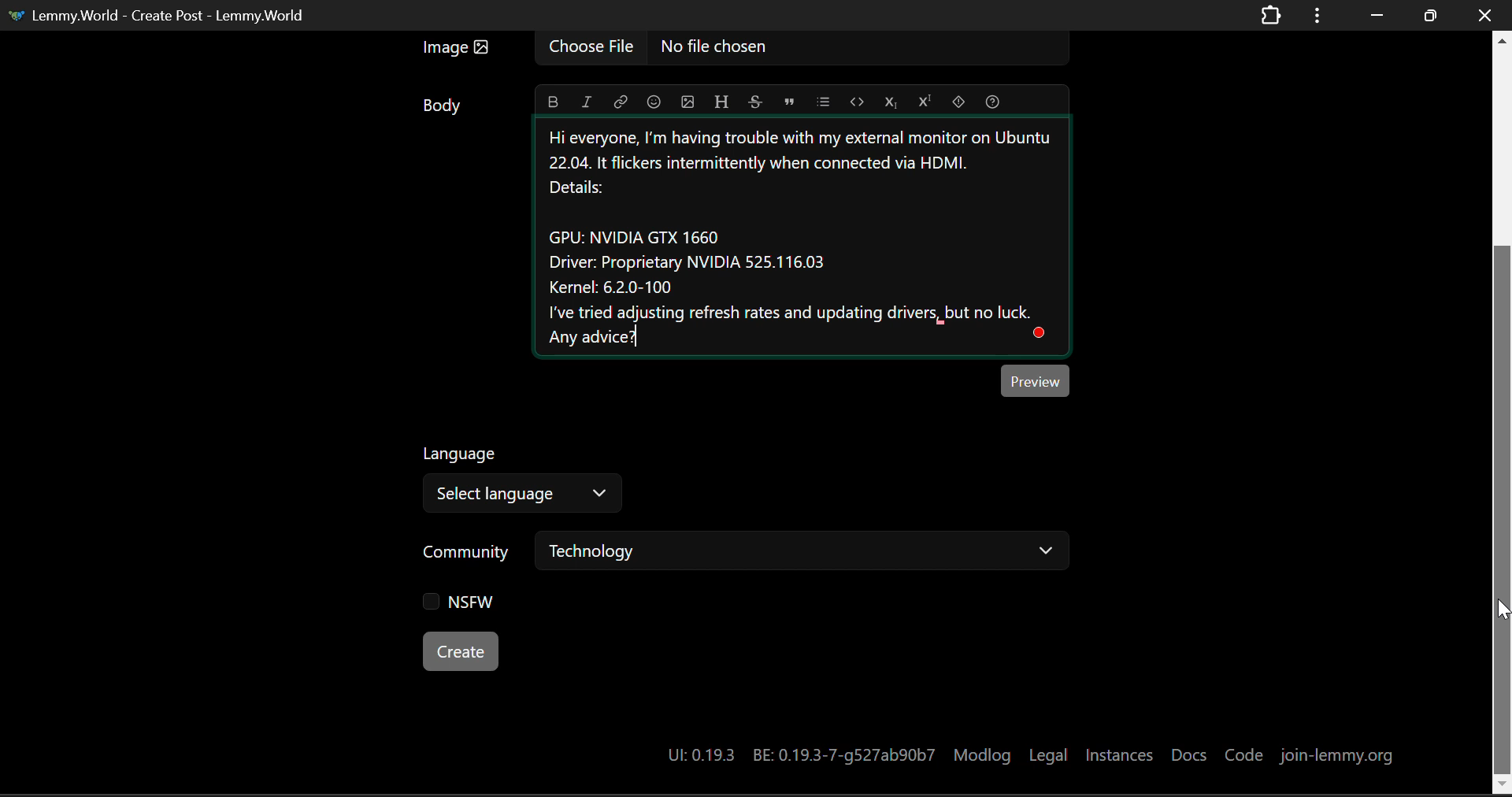 This screenshot has height=797, width=1512. Describe the element at coordinates (1503, 611) in the screenshot. I see `DRAG_TO Cursor Position` at that location.